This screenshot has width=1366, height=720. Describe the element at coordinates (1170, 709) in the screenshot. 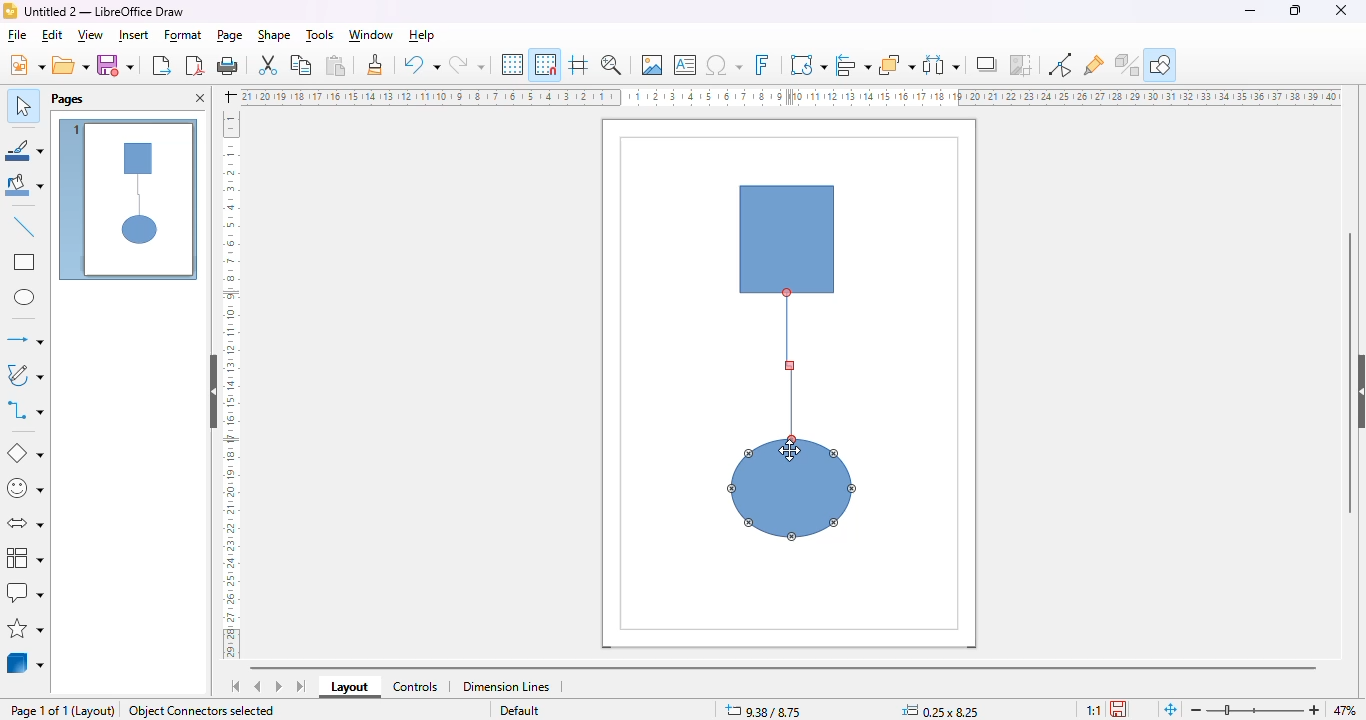

I see `fit page to current window` at that location.